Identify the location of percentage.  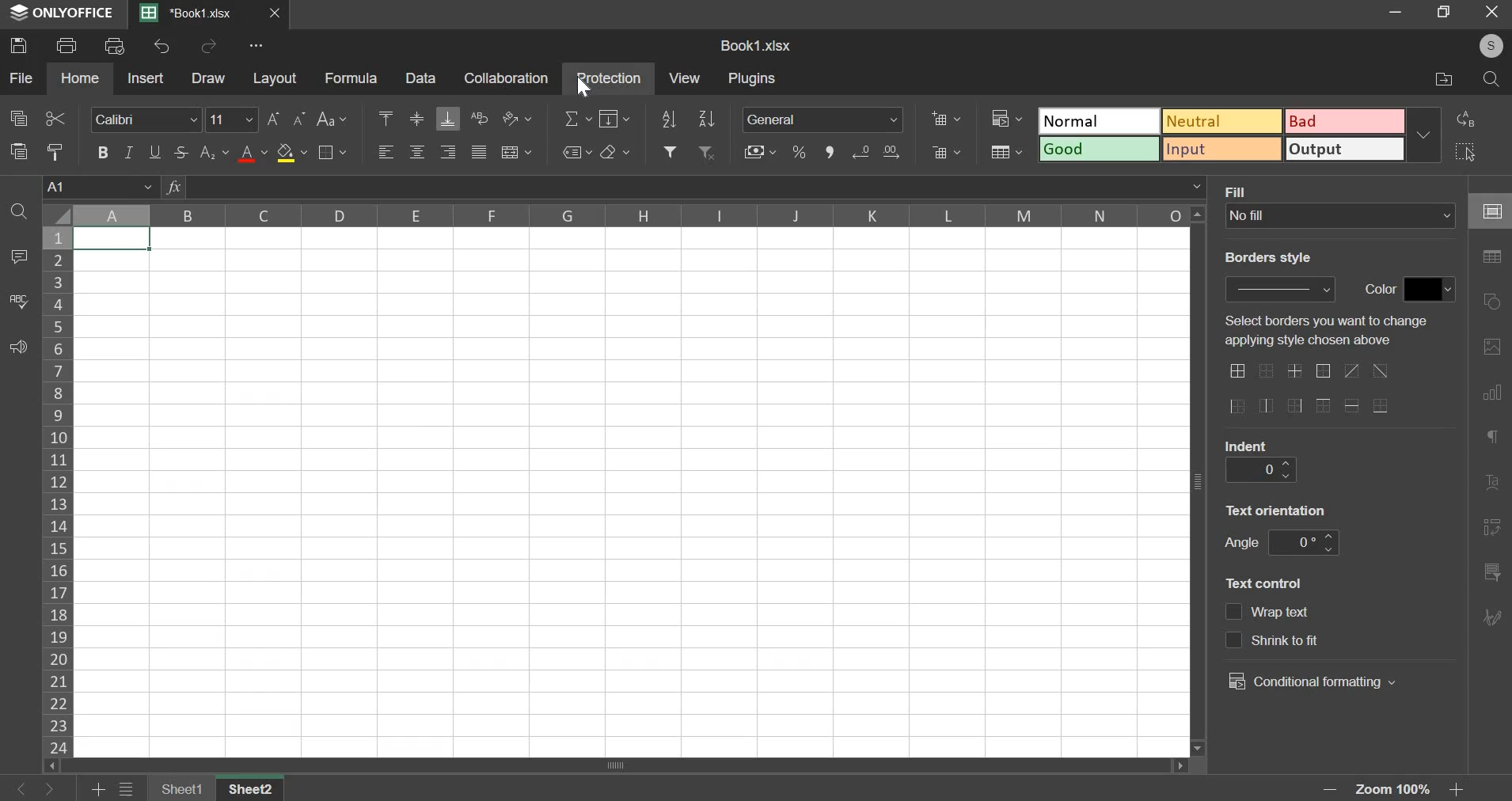
(798, 150).